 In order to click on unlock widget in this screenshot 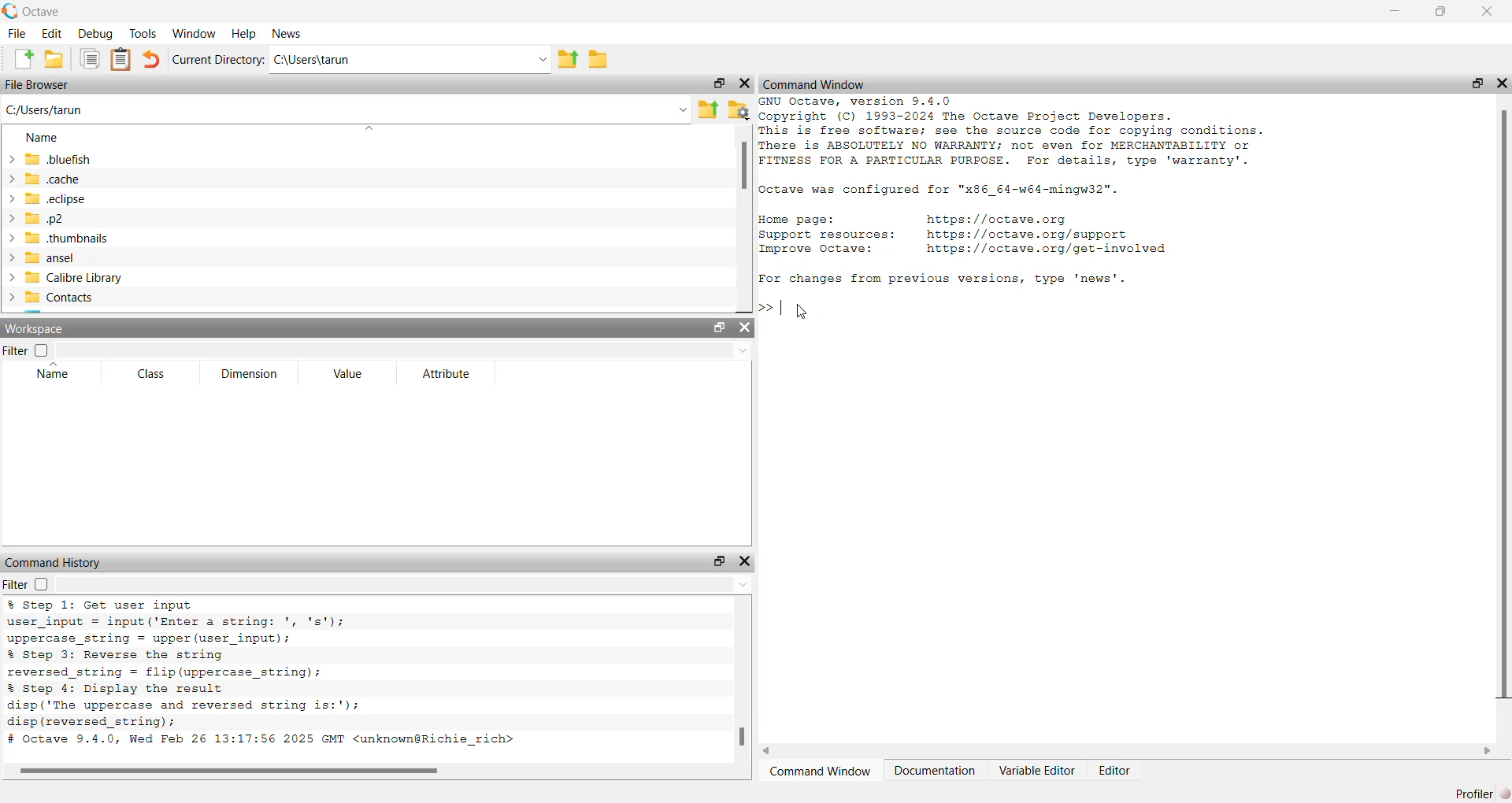, I will do `click(1477, 83)`.